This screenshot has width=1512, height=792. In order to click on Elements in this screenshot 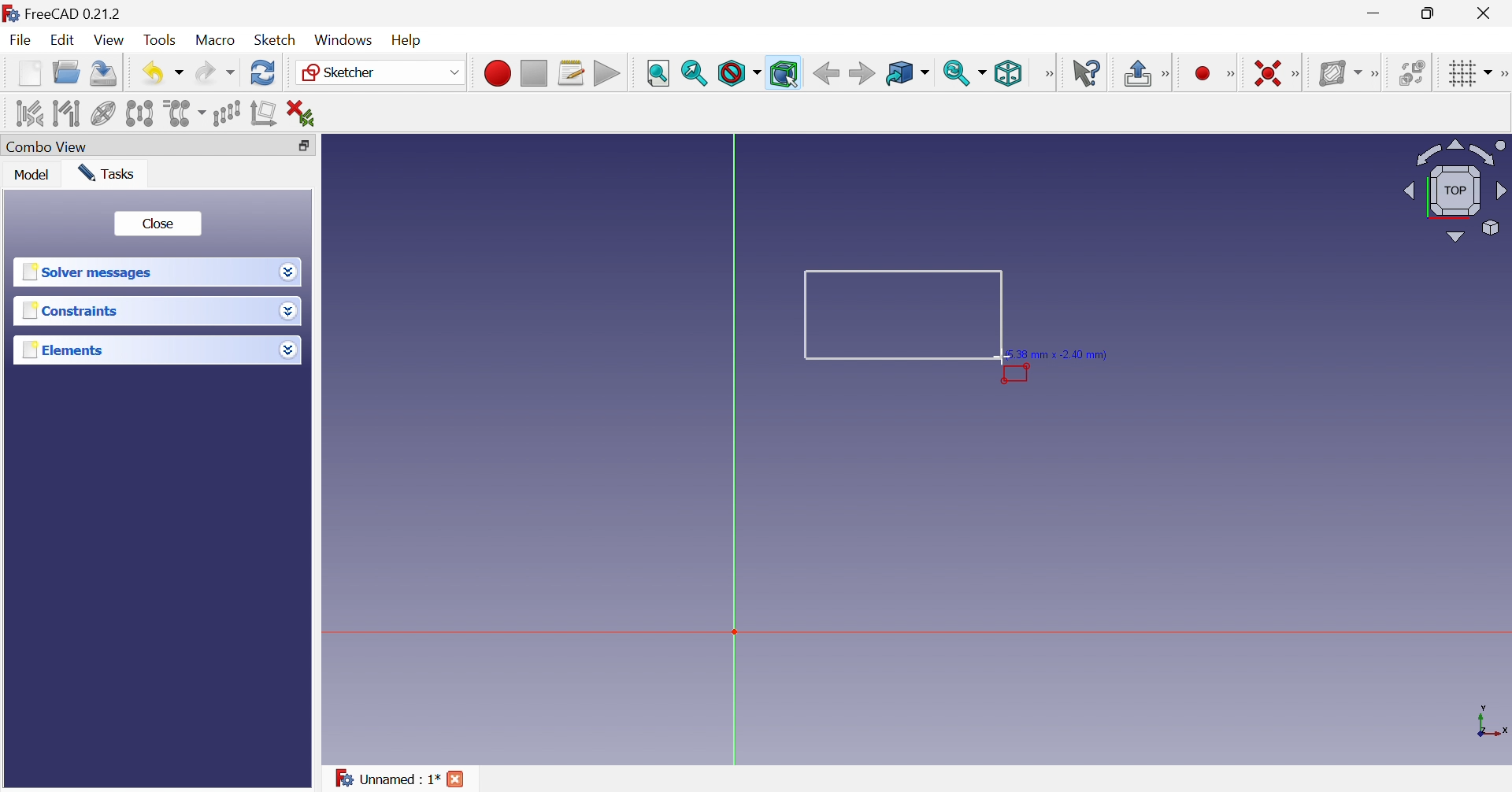, I will do `click(65, 350)`.